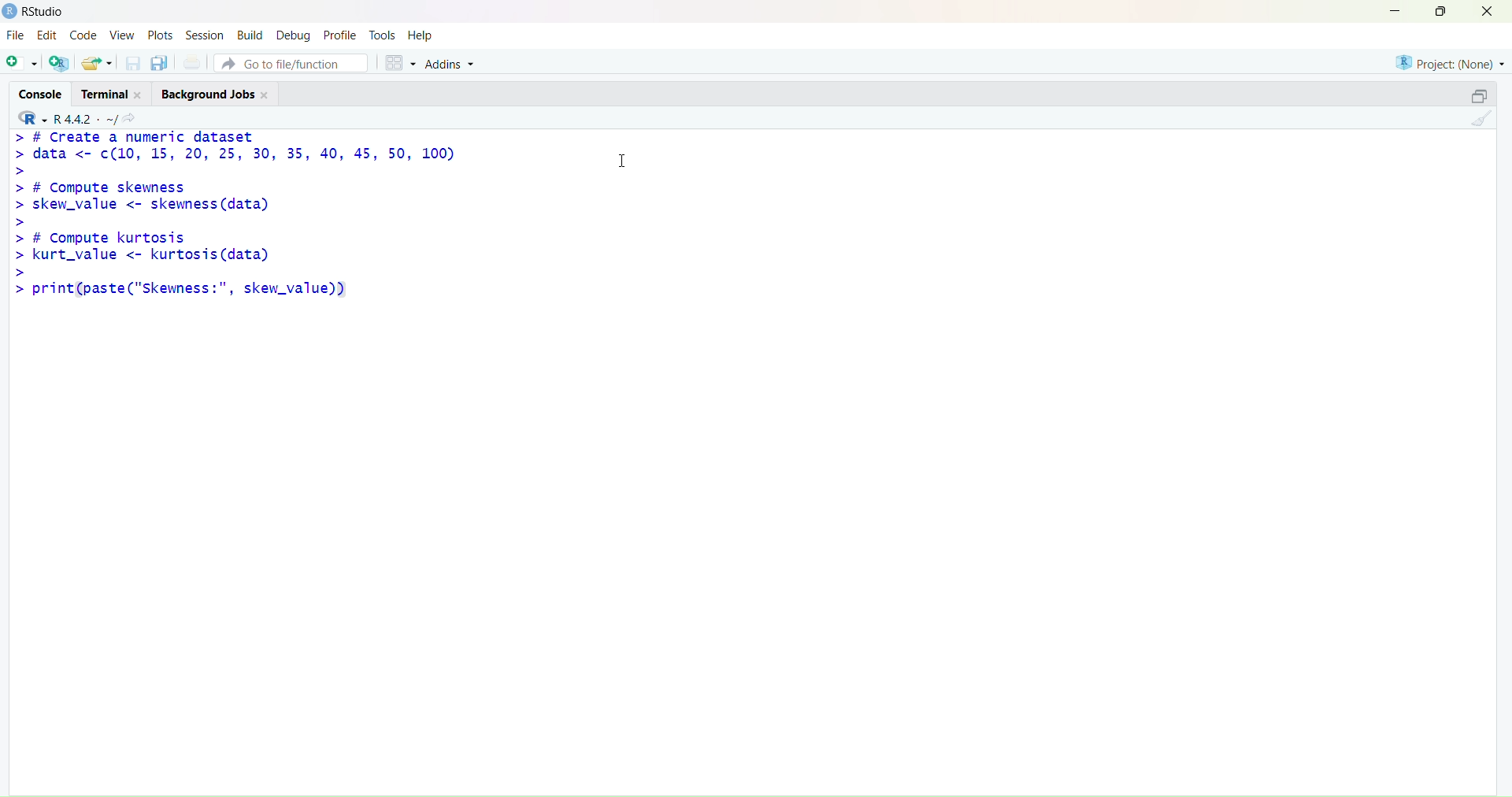 This screenshot has height=797, width=1512. I want to click on Restore, so click(1470, 98).